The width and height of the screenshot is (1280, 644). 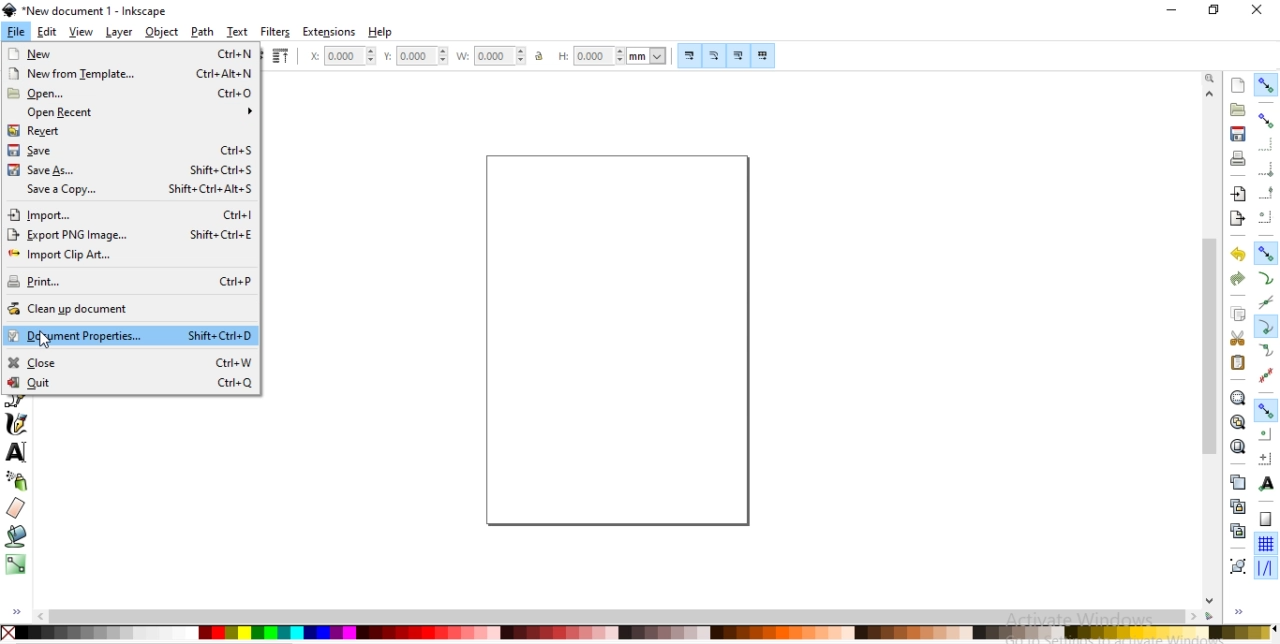 What do you see at coordinates (1237, 219) in the screenshot?
I see `export a document` at bounding box center [1237, 219].